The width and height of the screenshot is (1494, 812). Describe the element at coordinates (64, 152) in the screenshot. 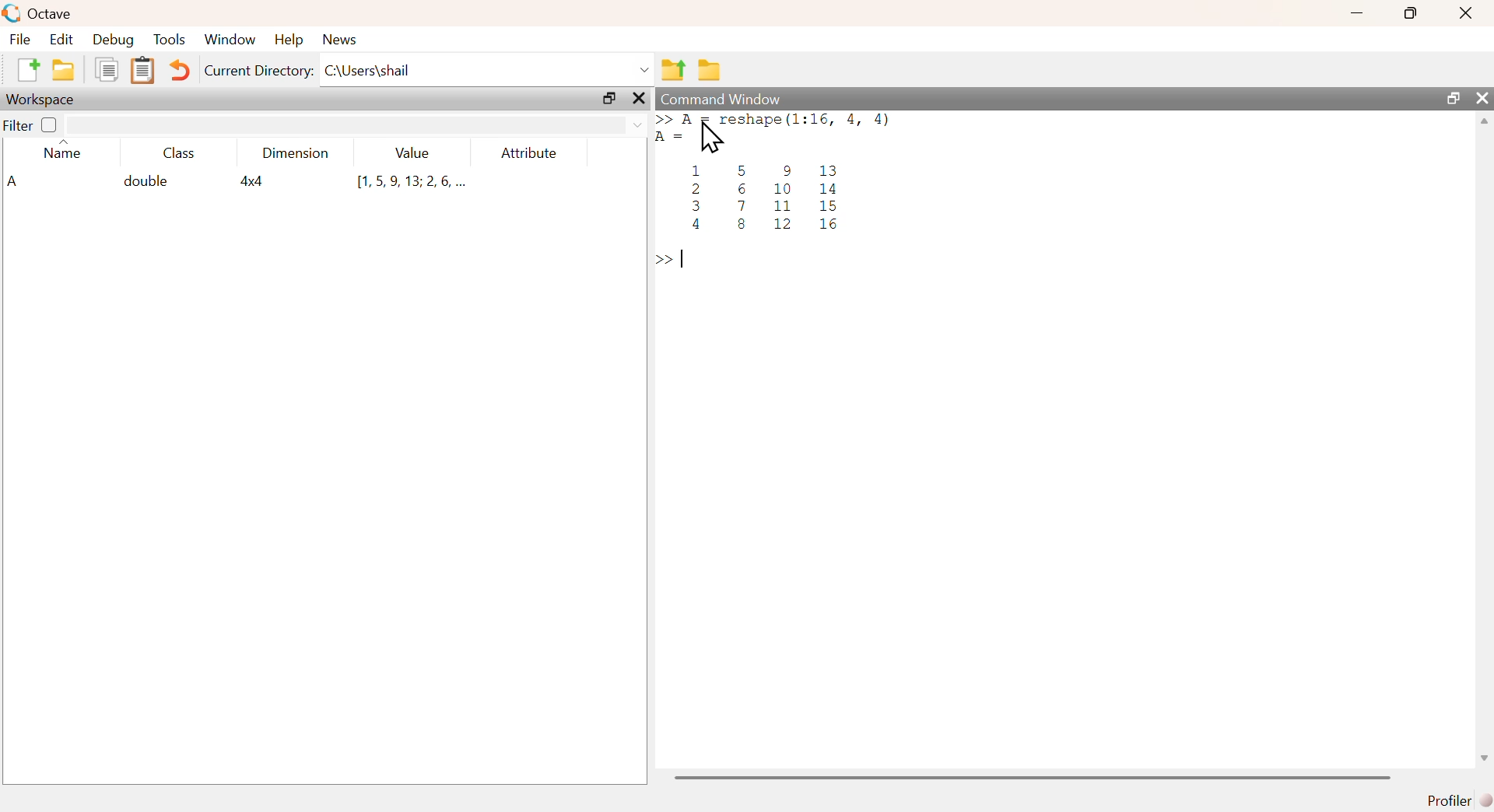

I see `name` at that location.